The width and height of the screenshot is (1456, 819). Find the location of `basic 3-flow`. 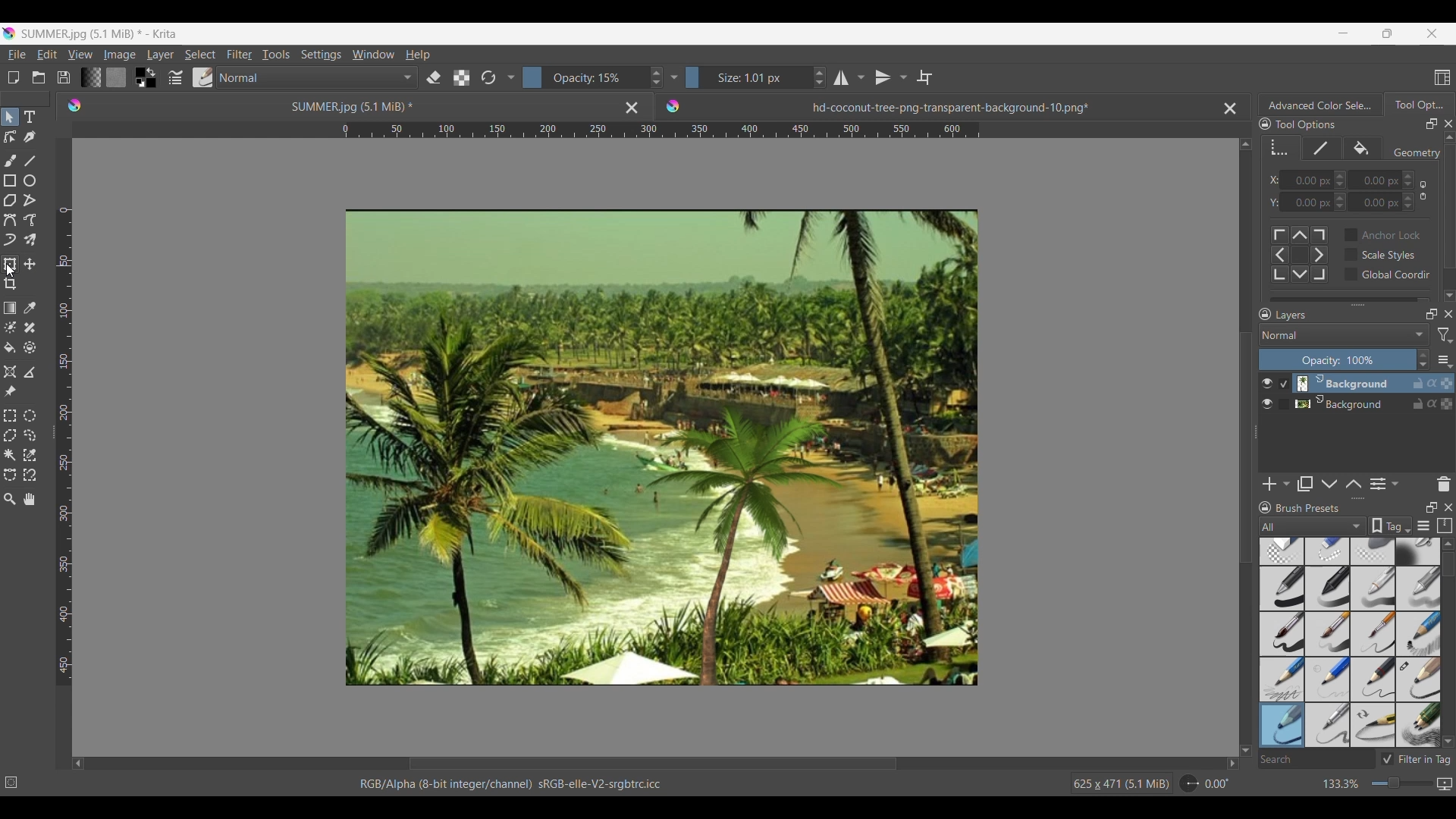

basic 3-flow is located at coordinates (1373, 588).